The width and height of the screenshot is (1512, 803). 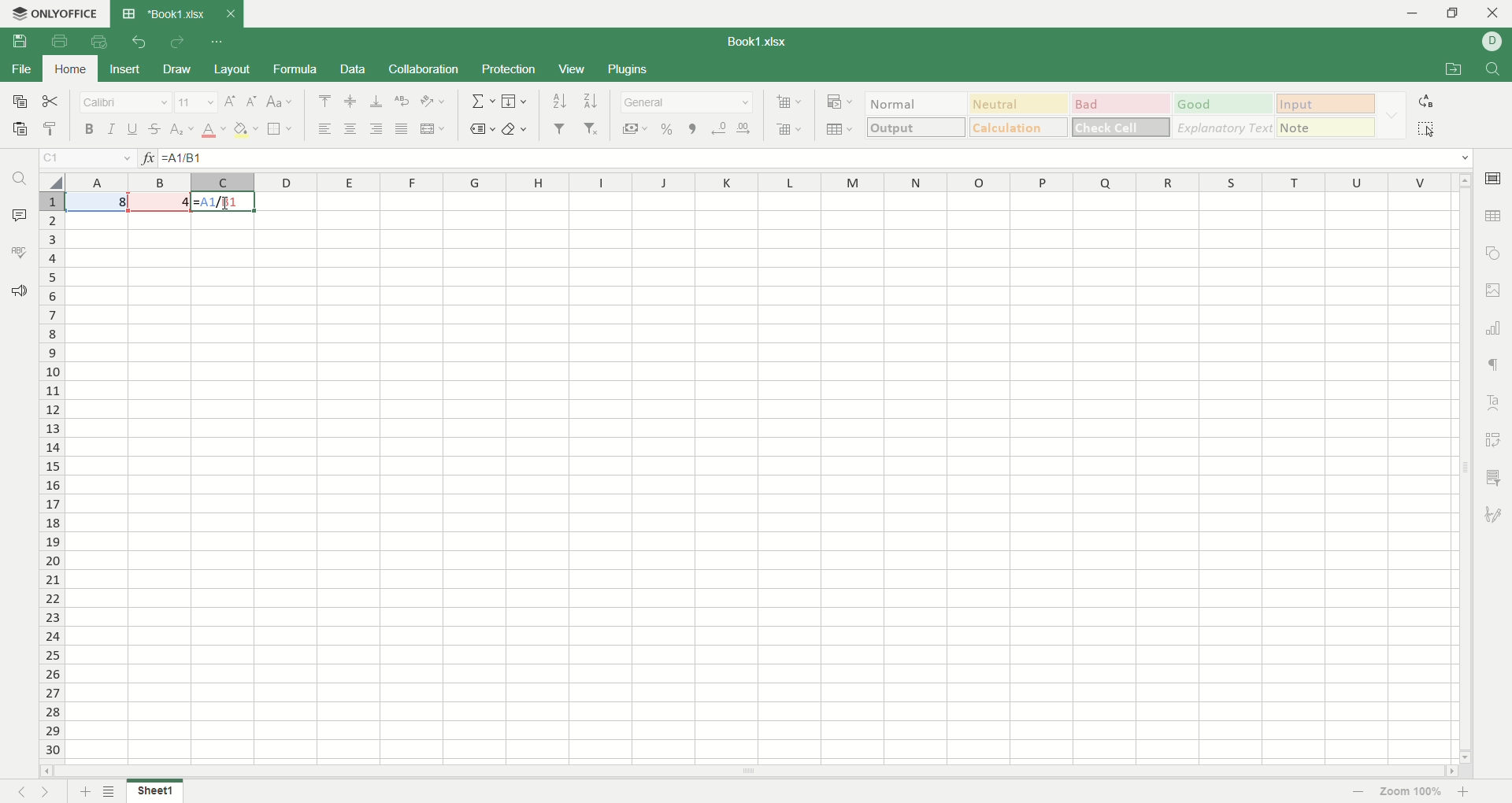 I want to click on insert, so click(x=124, y=70).